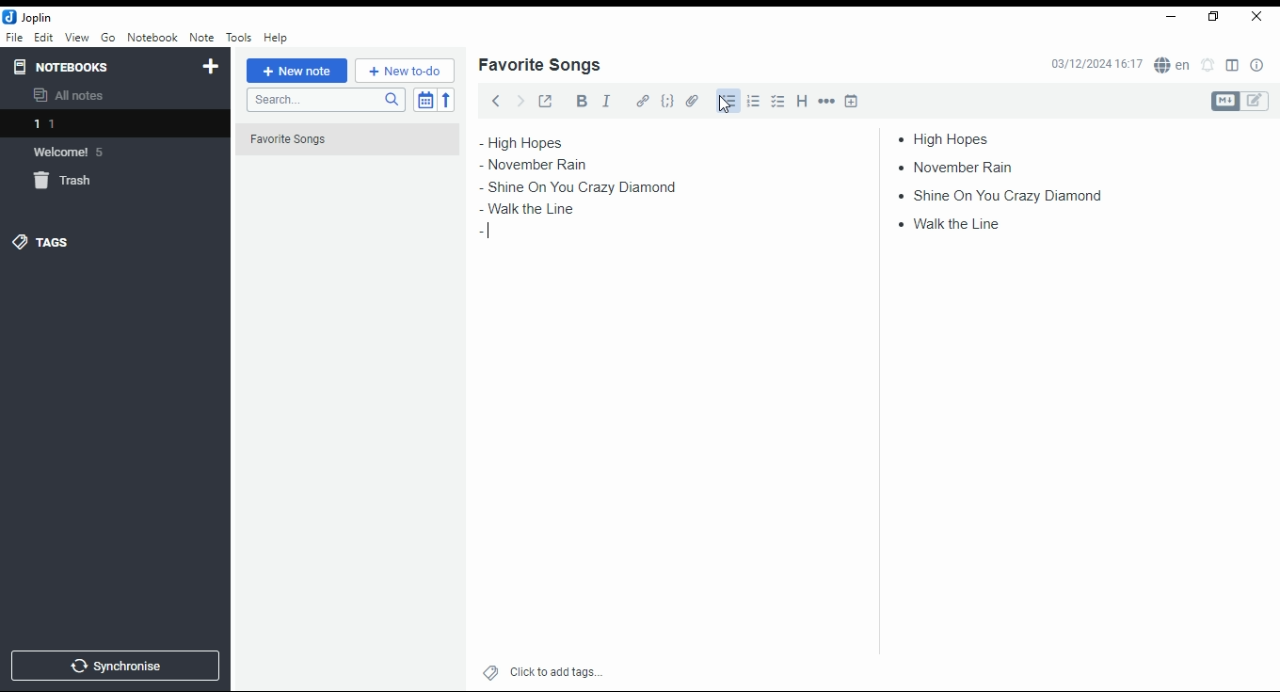 This screenshot has width=1280, height=692. Describe the element at coordinates (496, 100) in the screenshot. I see `back` at that location.